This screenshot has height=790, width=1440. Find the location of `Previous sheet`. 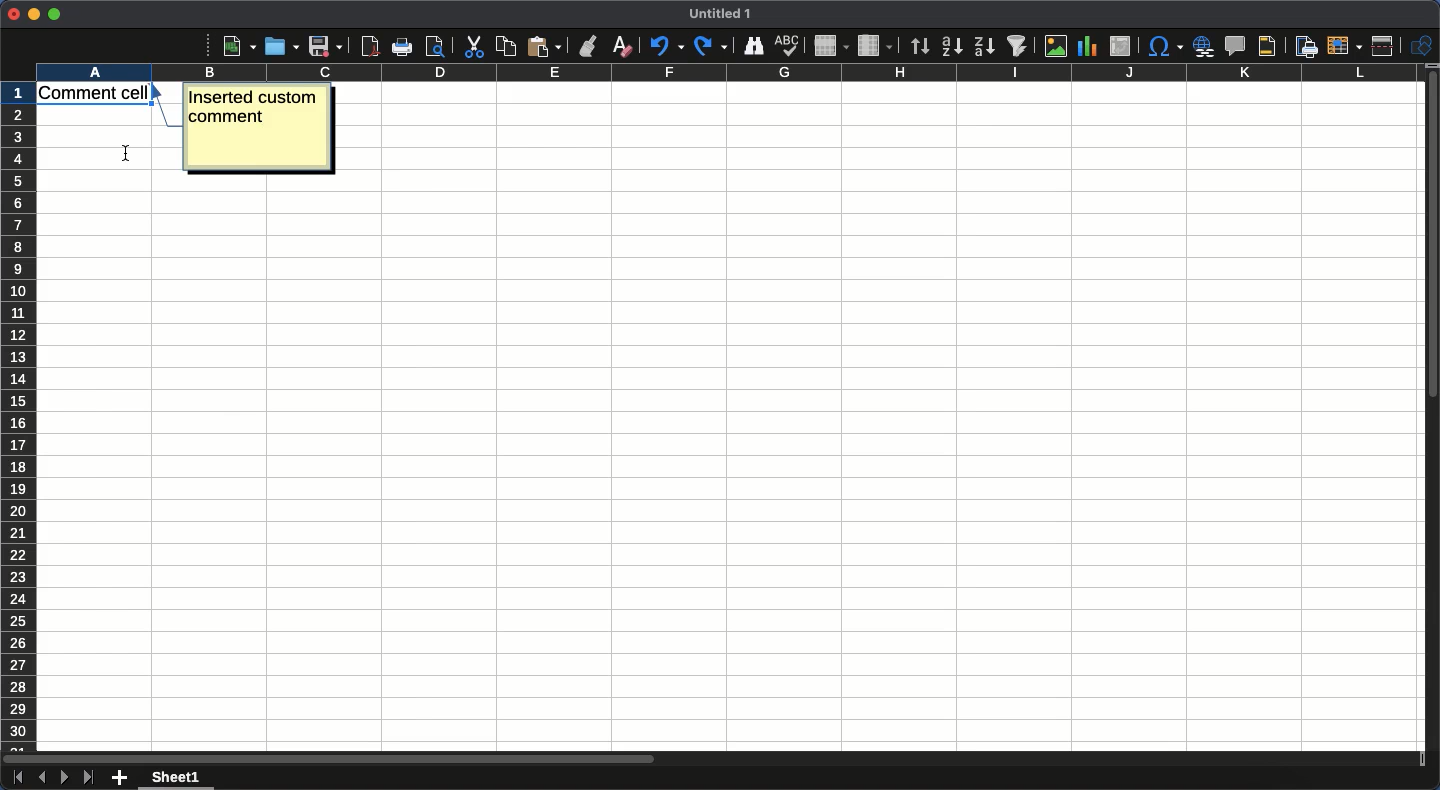

Previous sheet is located at coordinates (45, 779).